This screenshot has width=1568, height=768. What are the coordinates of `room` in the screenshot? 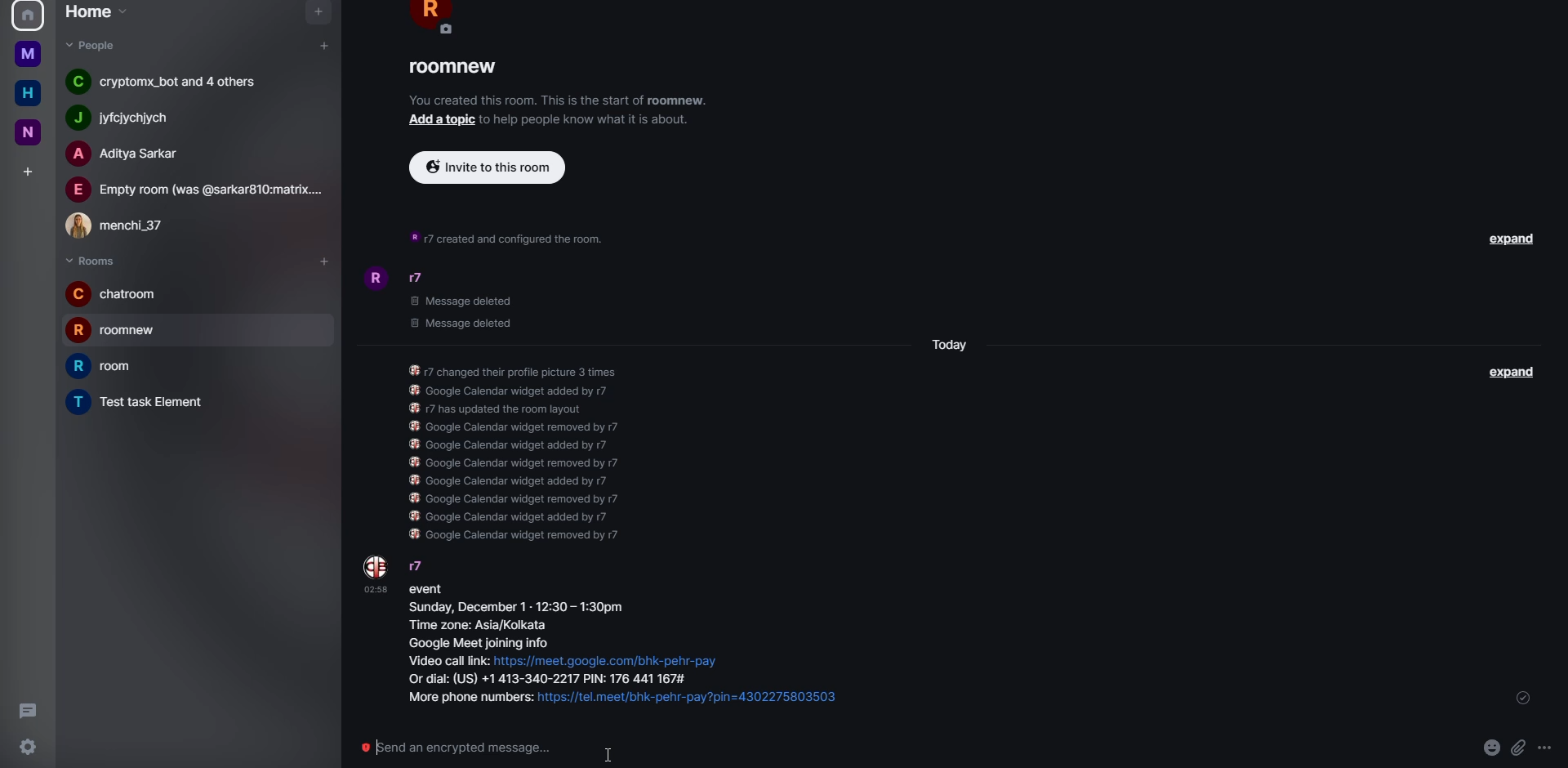 It's located at (121, 330).